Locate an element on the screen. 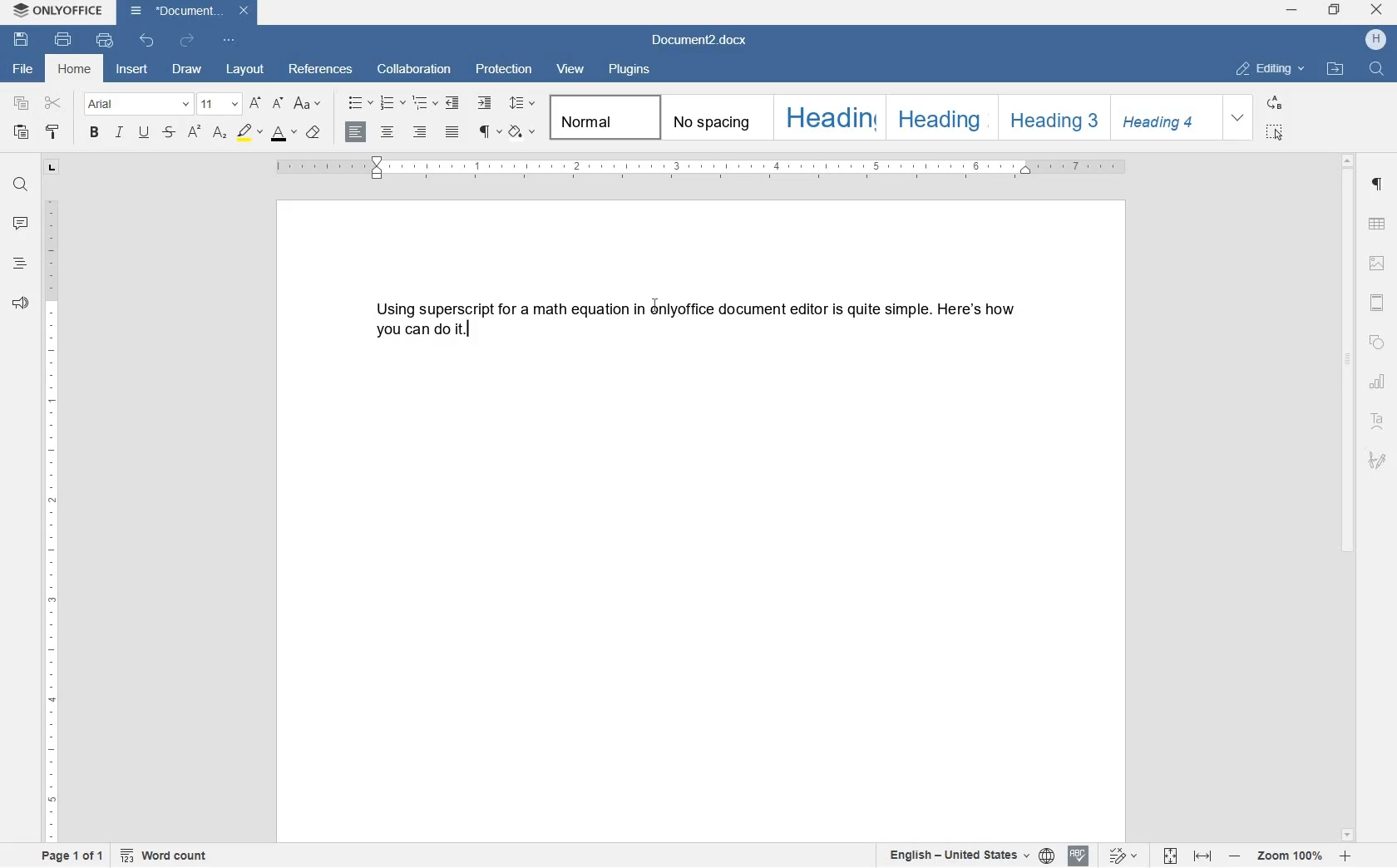 This screenshot has width=1397, height=868. undo is located at coordinates (147, 40).